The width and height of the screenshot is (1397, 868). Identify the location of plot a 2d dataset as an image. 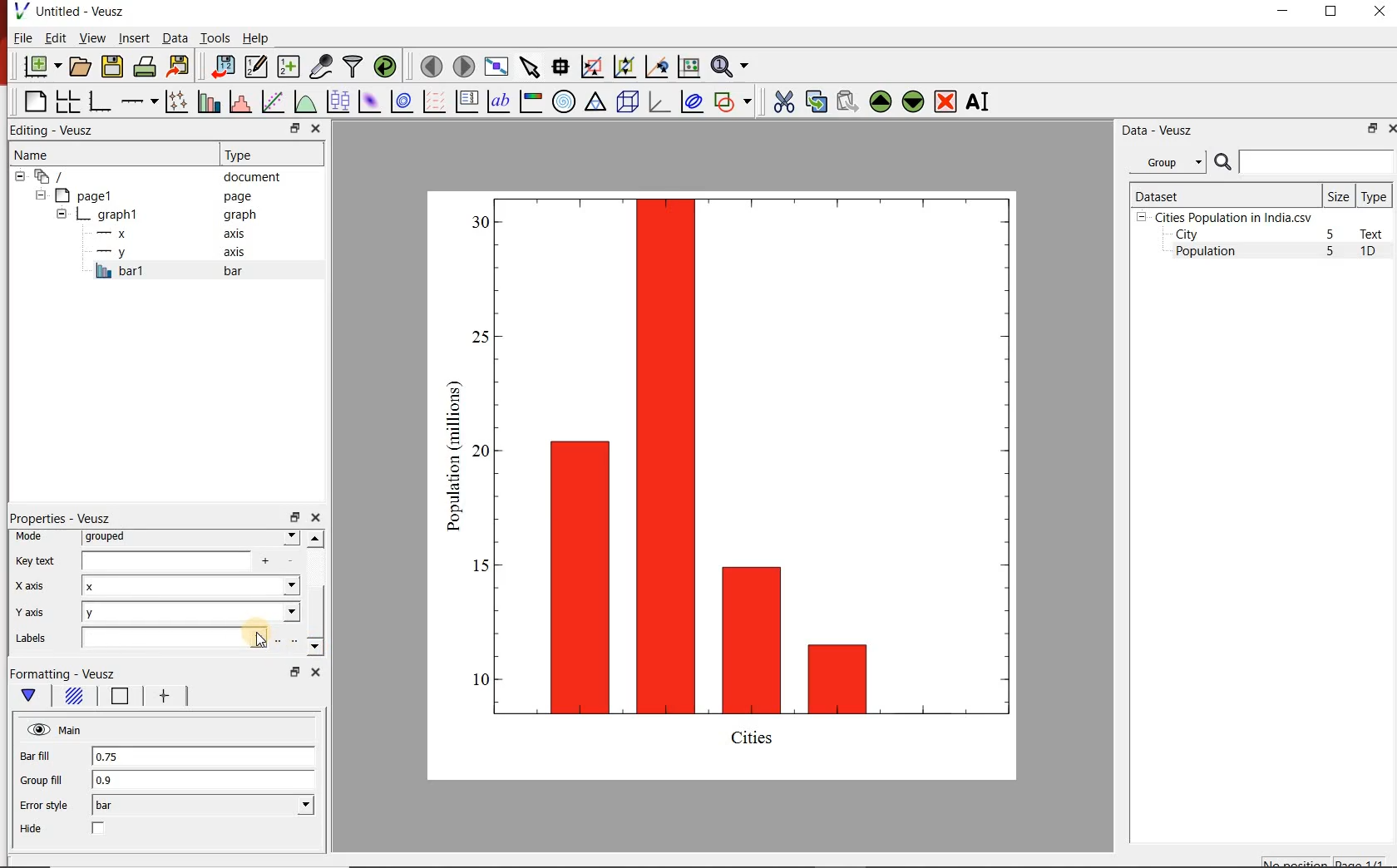
(368, 100).